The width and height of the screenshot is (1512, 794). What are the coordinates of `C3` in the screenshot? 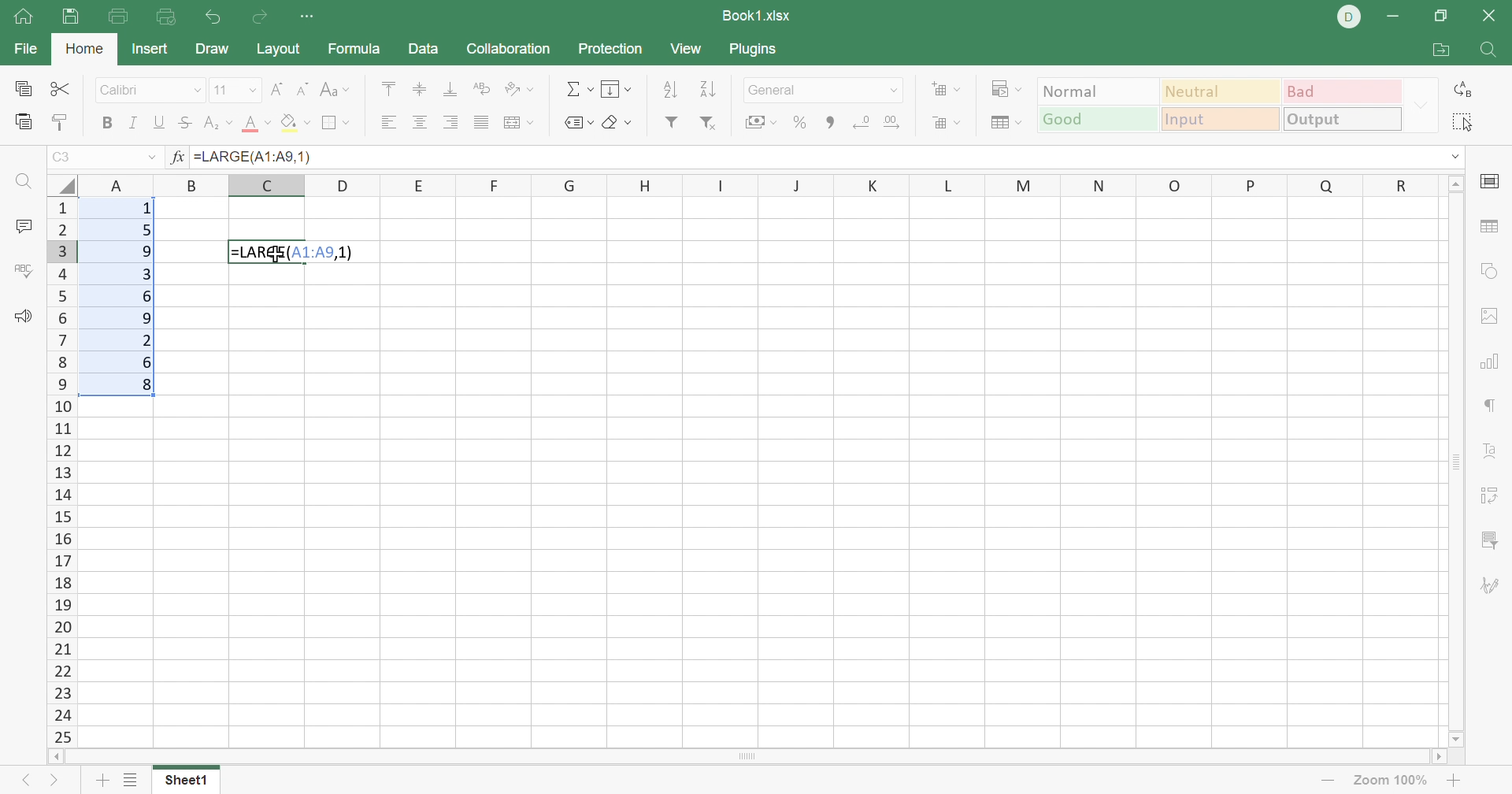 It's located at (63, 157).